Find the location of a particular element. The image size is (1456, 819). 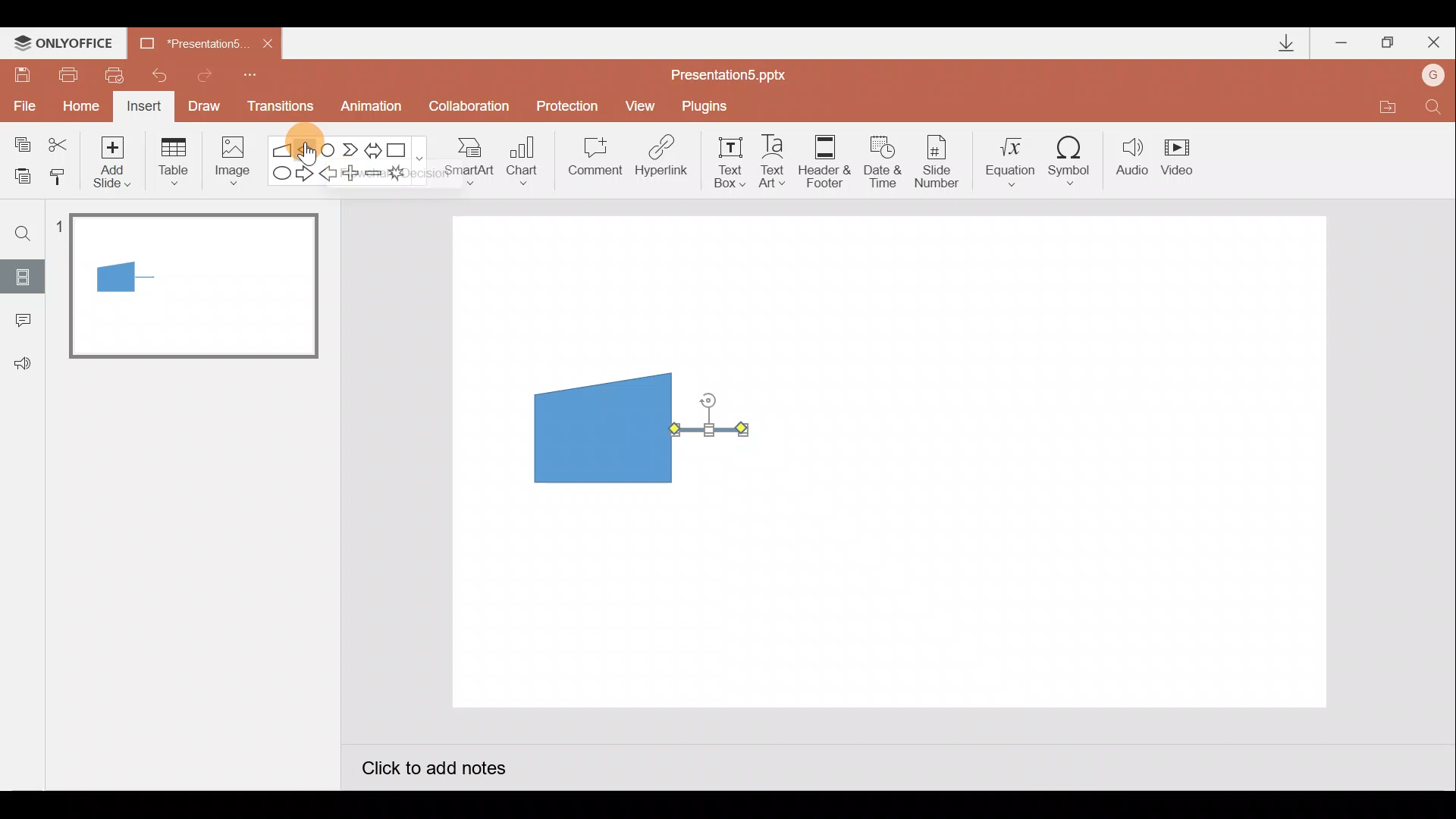

Undo is located at coordinates (162, 75).